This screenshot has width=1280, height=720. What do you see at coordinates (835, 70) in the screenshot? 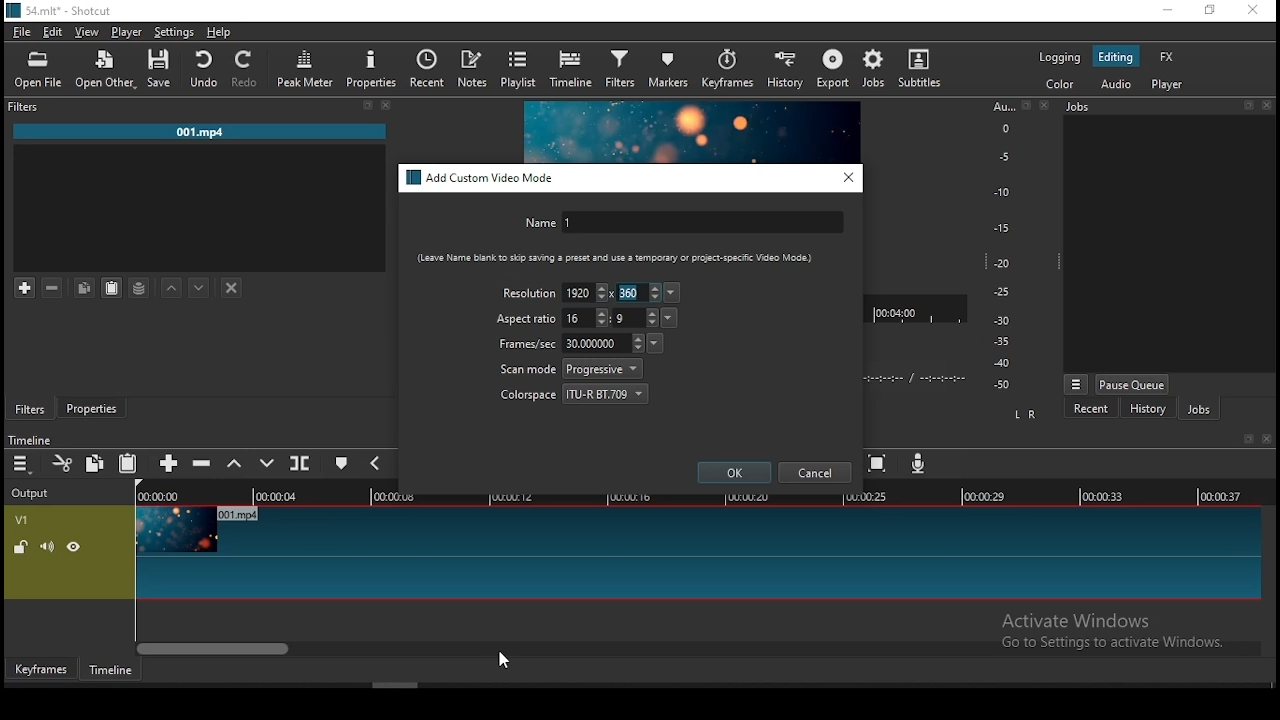
I see `export` at bounding box center [835, 70].